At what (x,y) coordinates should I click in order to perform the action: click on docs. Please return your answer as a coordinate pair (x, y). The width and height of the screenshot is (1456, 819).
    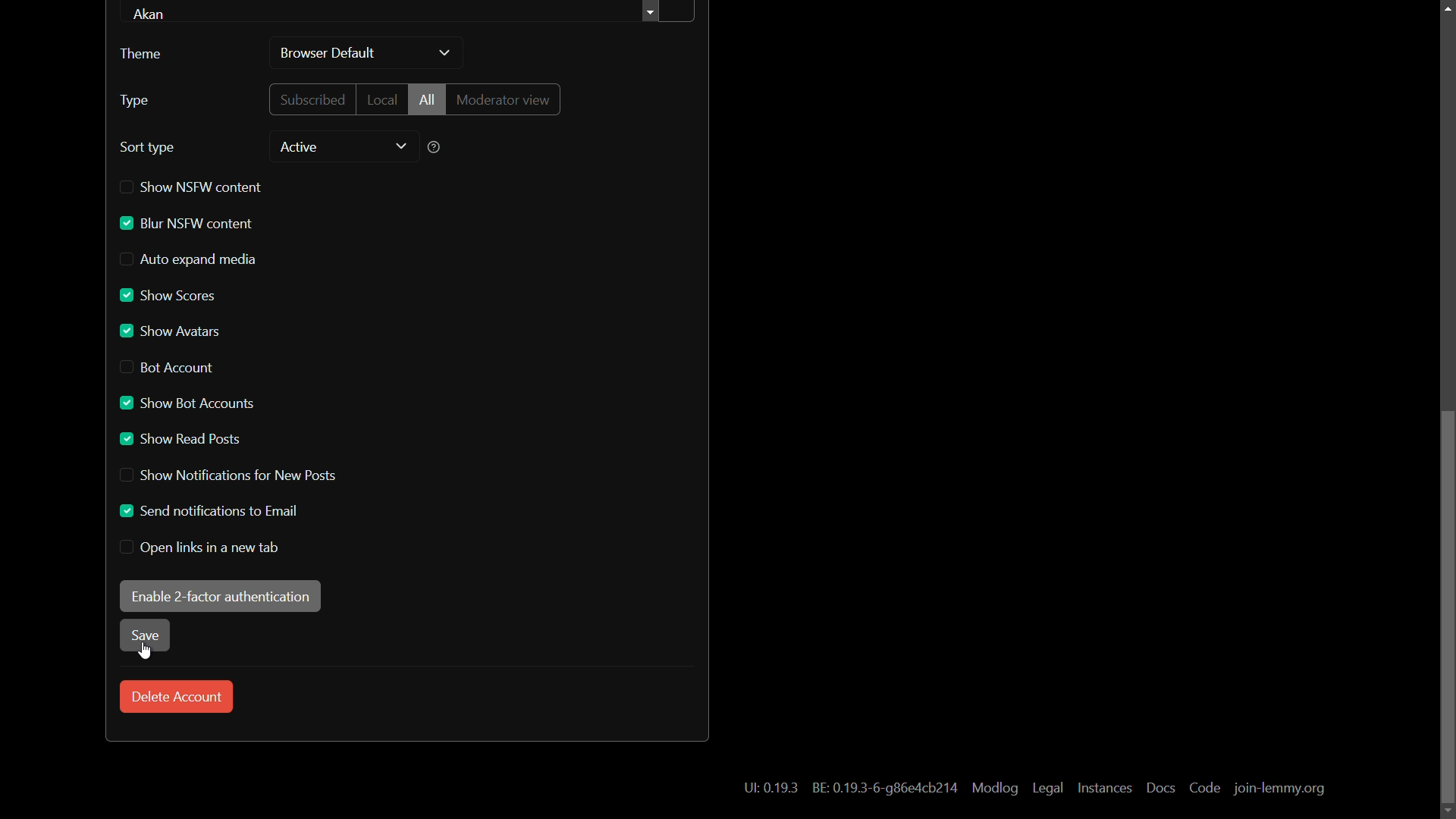
    Looking at the image, I should click on (1159, 787).